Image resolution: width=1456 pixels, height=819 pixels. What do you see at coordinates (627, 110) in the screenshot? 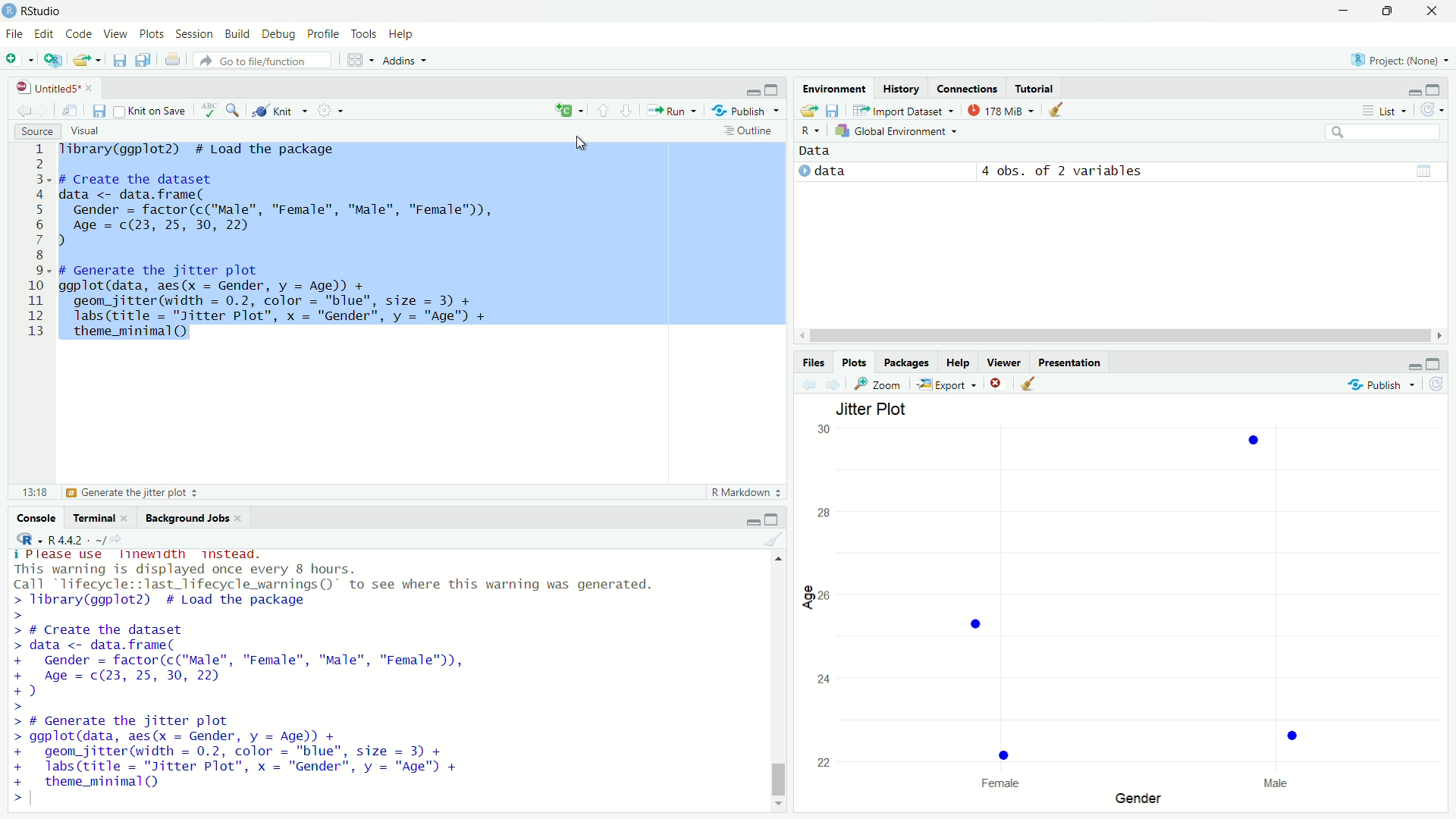
I see `go to next section/chunk` at bounding box center [627, 110].